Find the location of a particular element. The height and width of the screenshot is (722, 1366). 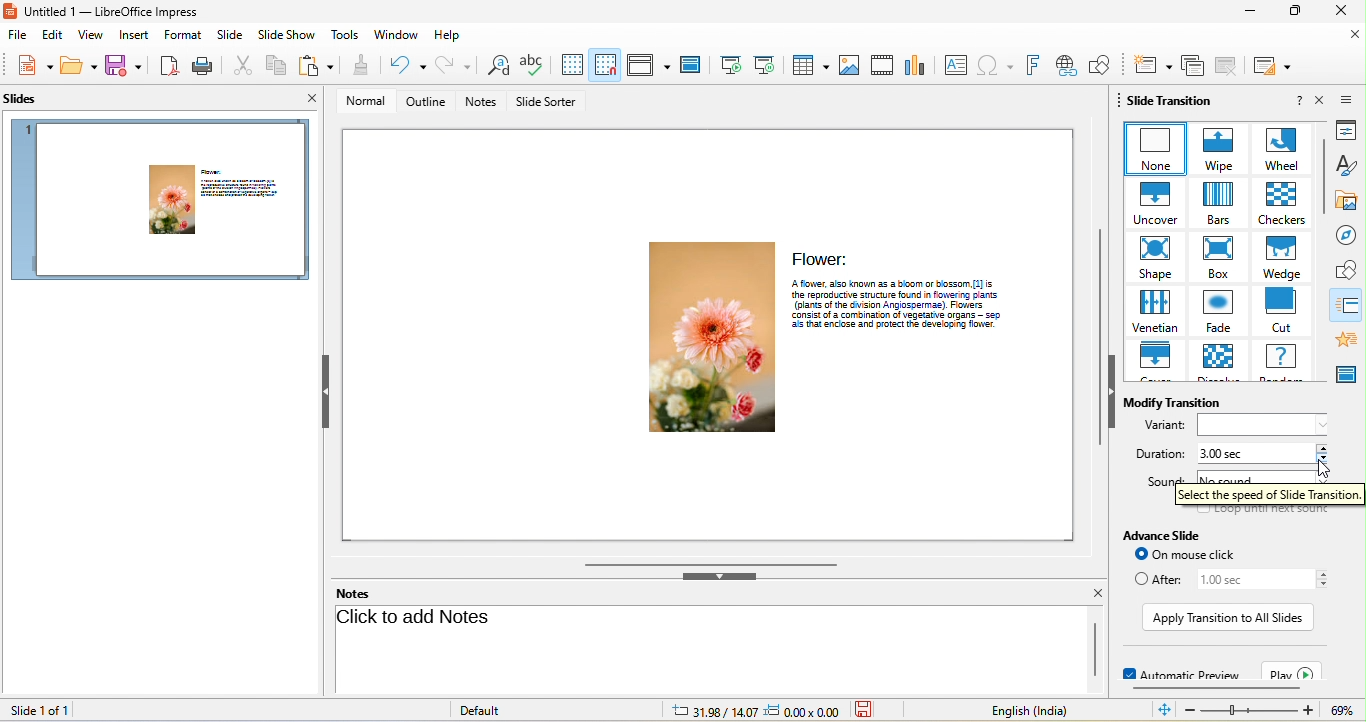

none is located at coordinates (1153, 148).